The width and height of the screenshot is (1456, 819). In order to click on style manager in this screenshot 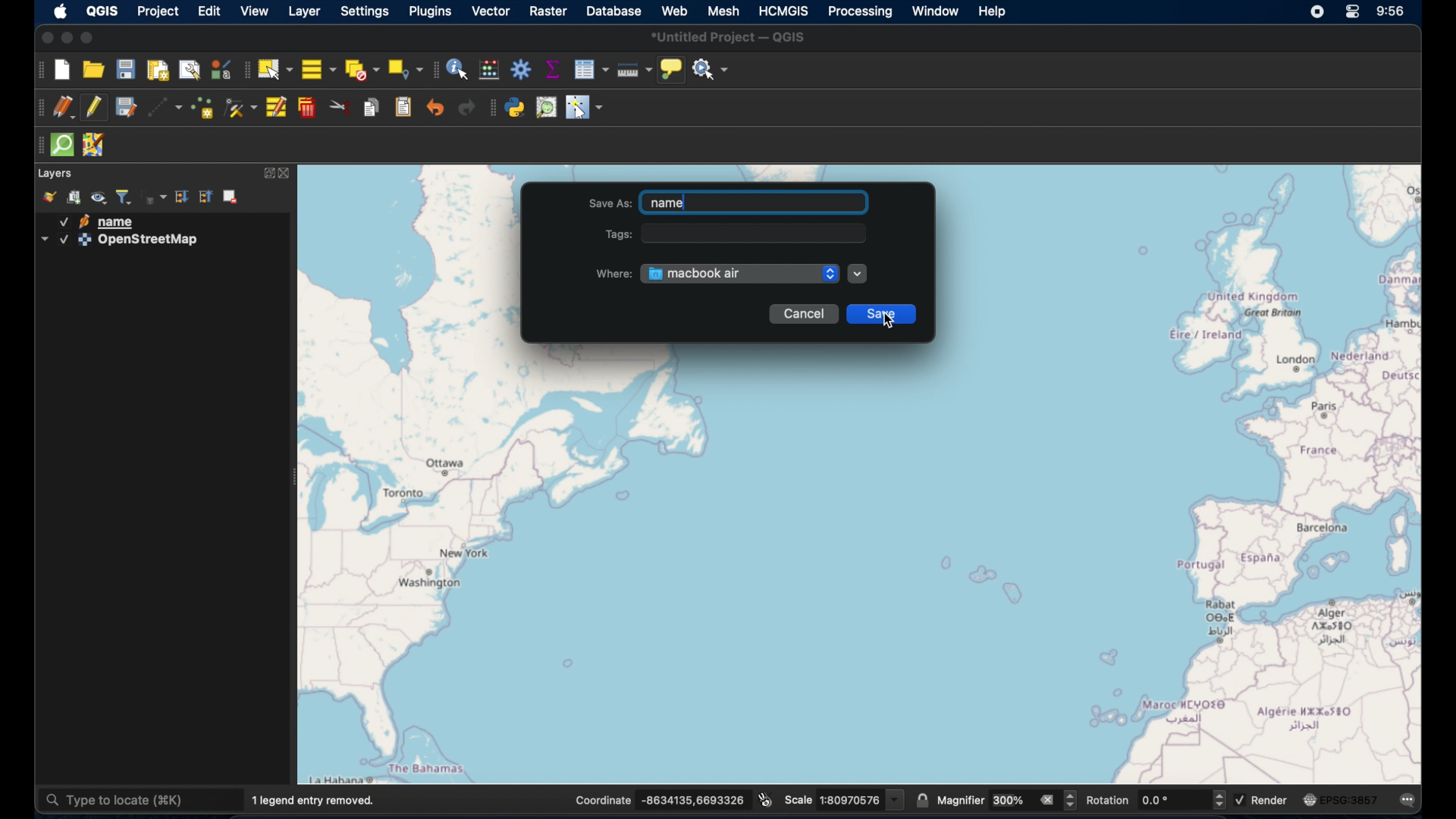, I will do `click(220, 71)`.